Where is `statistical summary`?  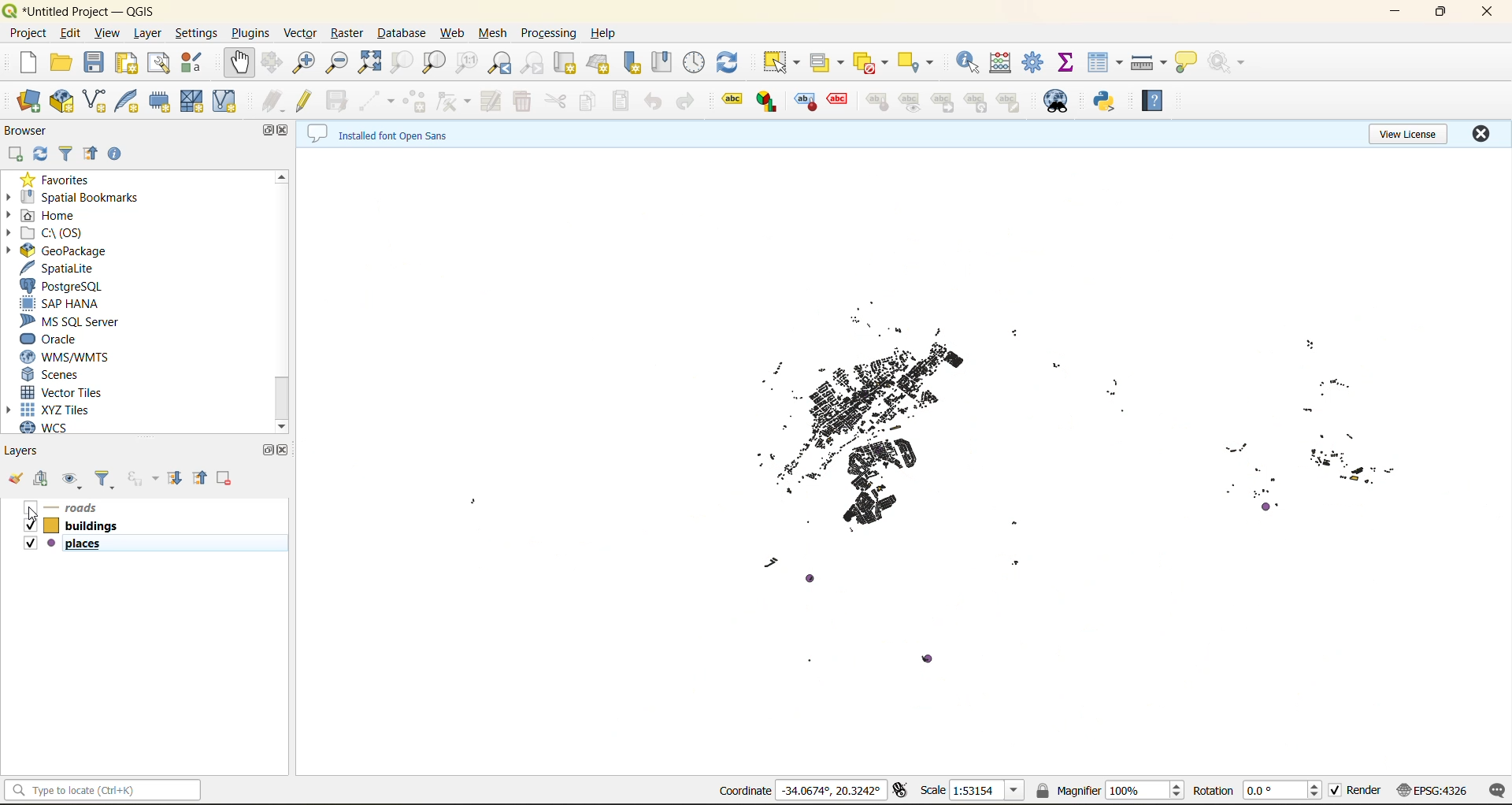 statistical summary is located at coordinates (1065, 61).